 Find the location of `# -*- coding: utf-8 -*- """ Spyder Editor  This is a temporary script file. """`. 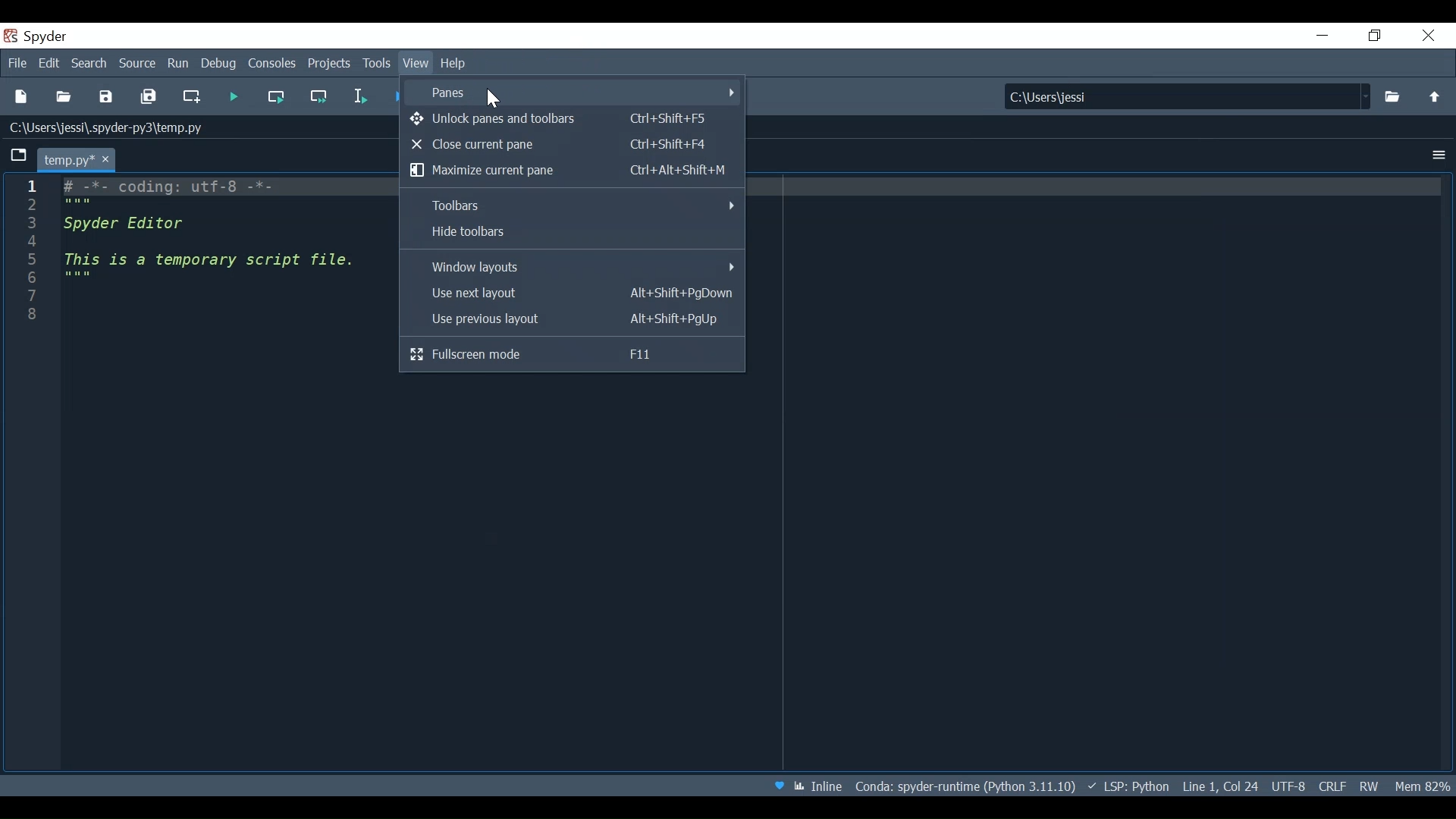

# -*- coding: utf-8 -*- """ Spyder Editor  This is a temporary script file. """ is located at coordinates (231, 266).